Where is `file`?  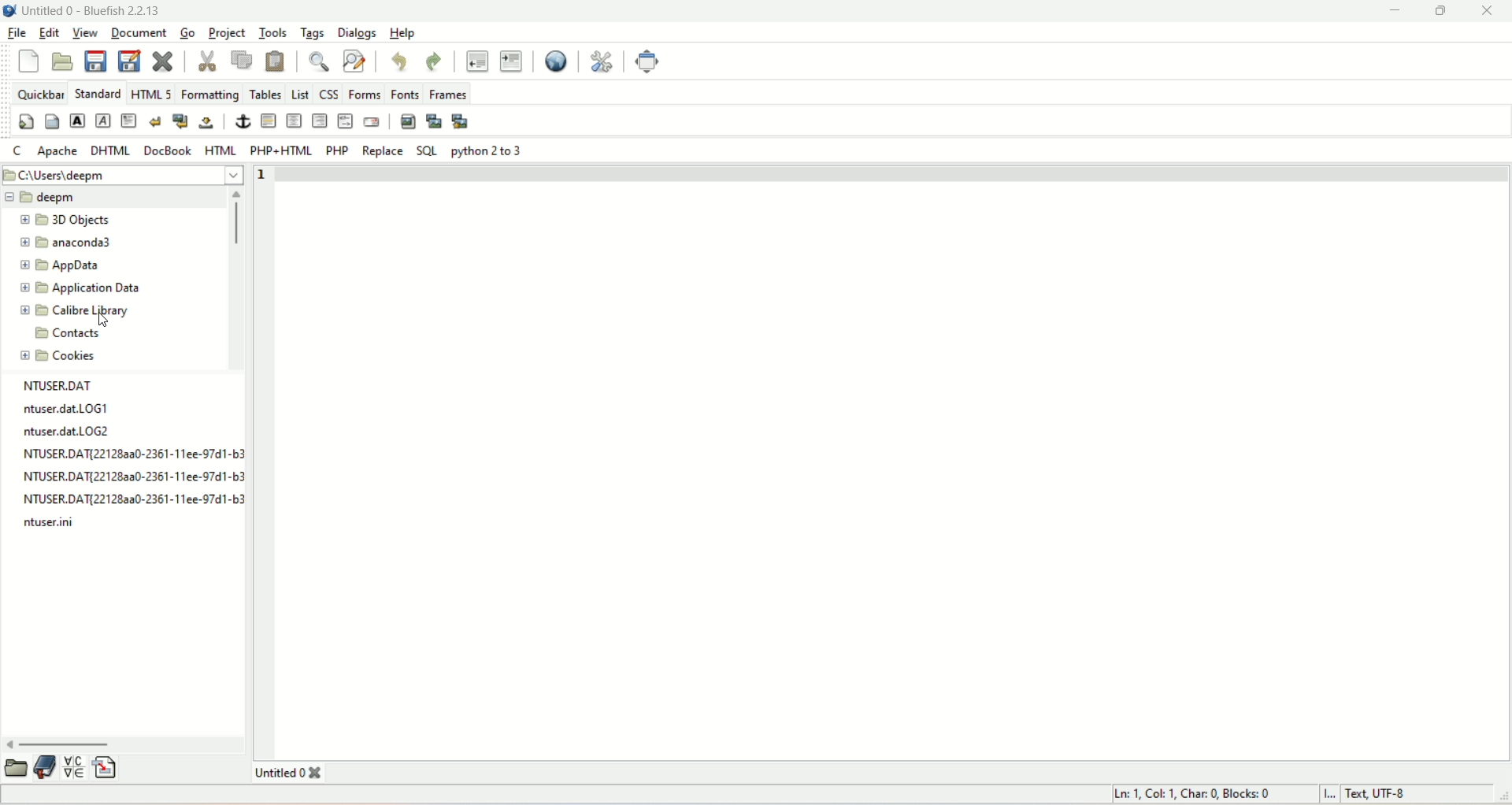
file is located at coordinates (19, 30).